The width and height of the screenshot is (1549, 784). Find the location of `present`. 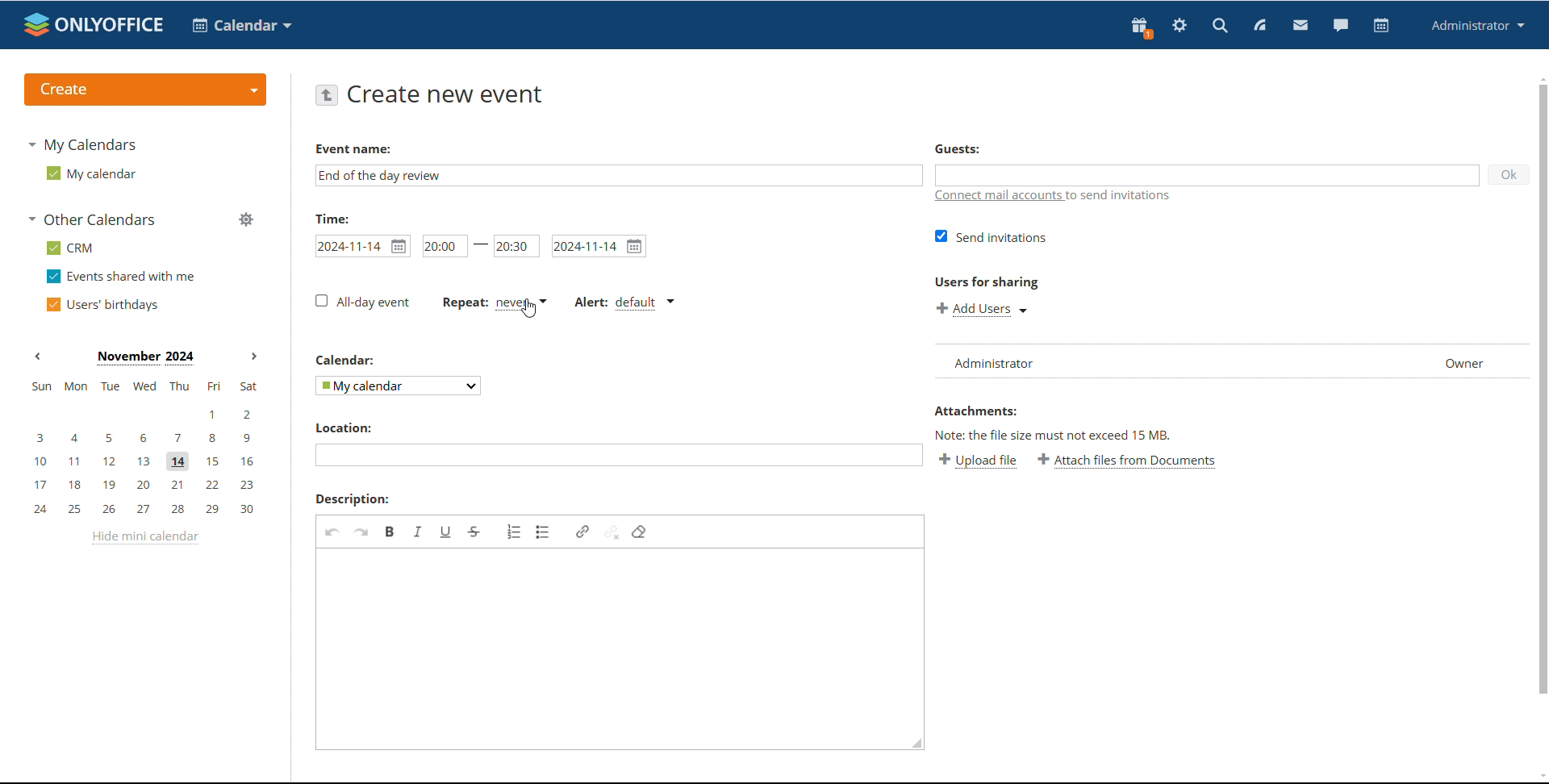

present is located at coordinates (1140, 27).